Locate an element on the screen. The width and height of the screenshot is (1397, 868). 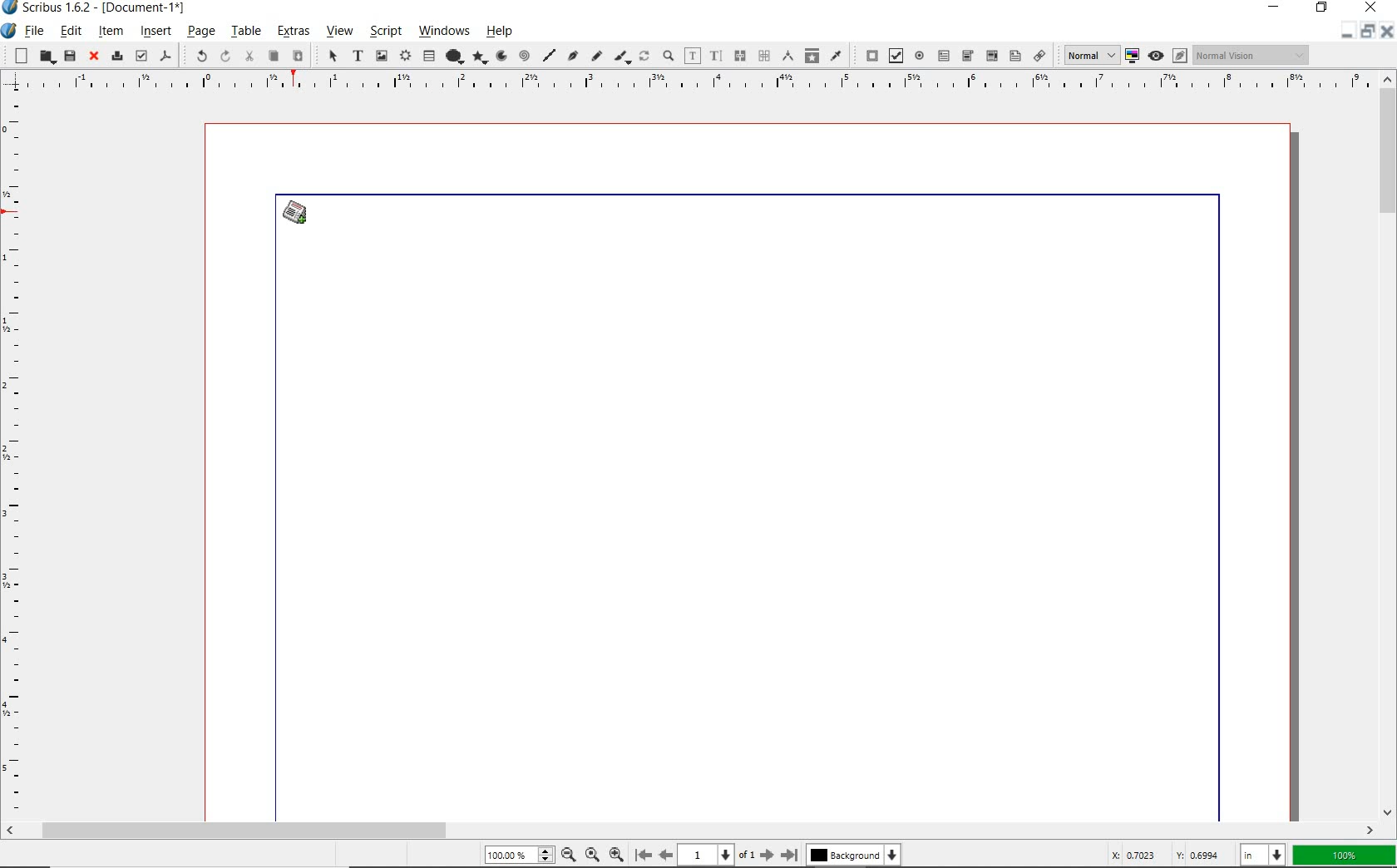
calligraphic line is located at coordinates (624, 57).